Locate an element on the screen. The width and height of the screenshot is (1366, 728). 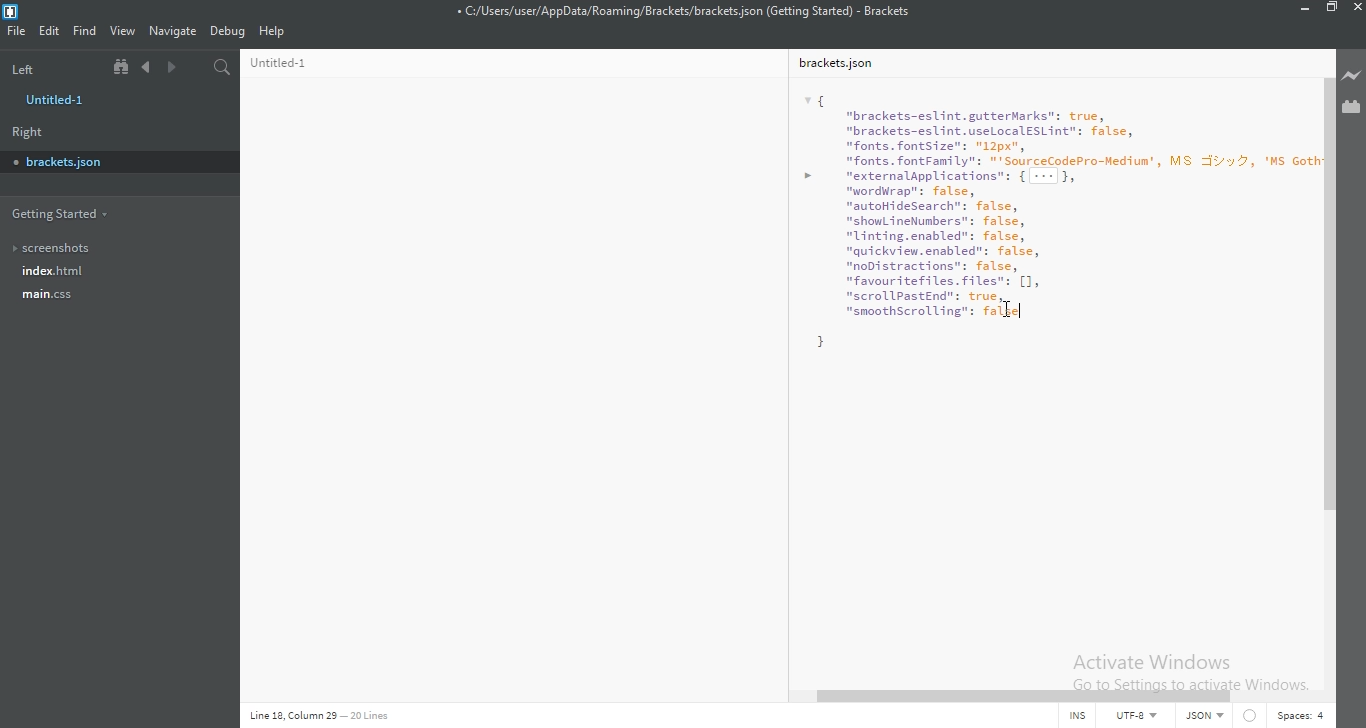
Getting started is located at coordinates (84, 213).